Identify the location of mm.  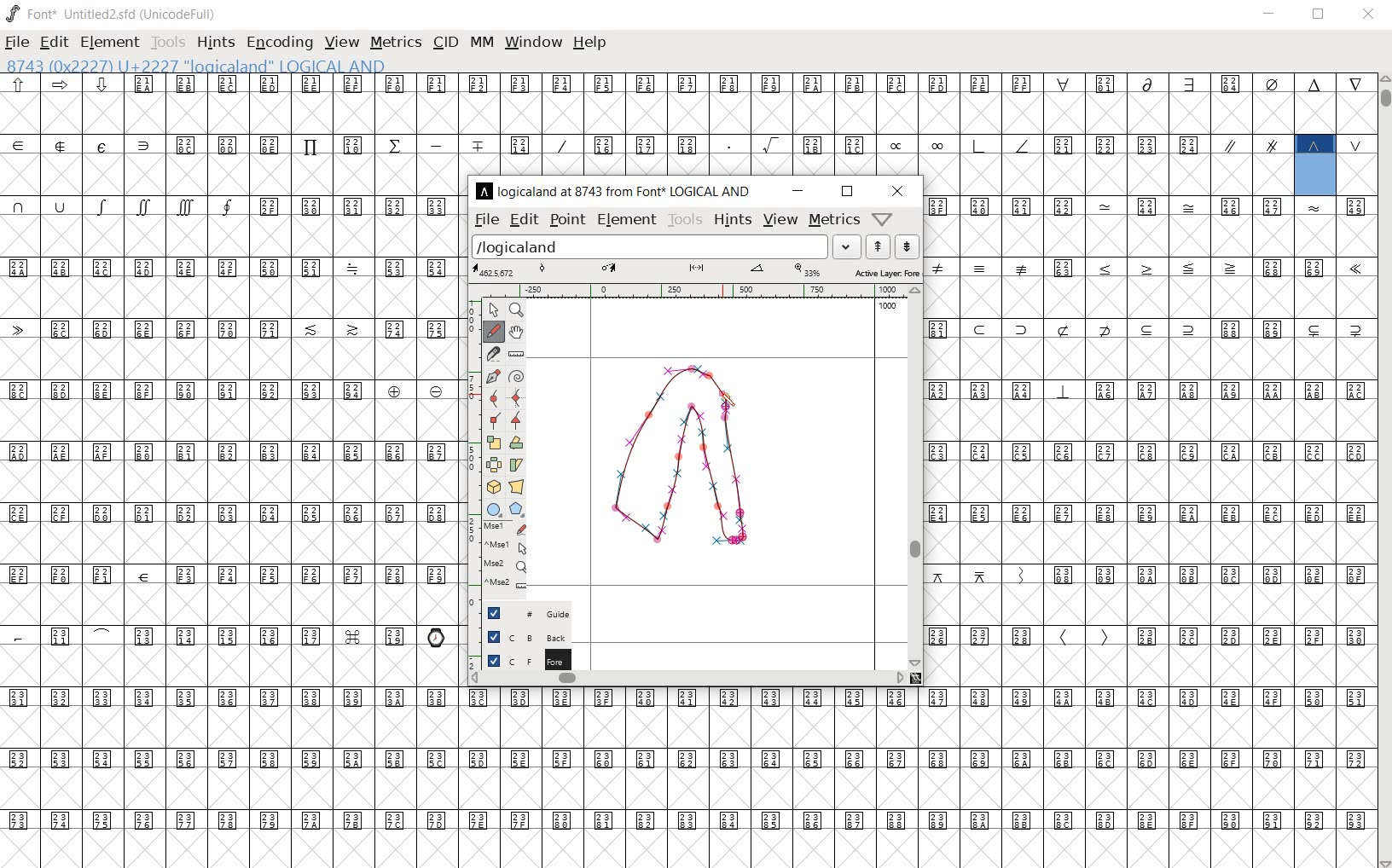
(481, 40).